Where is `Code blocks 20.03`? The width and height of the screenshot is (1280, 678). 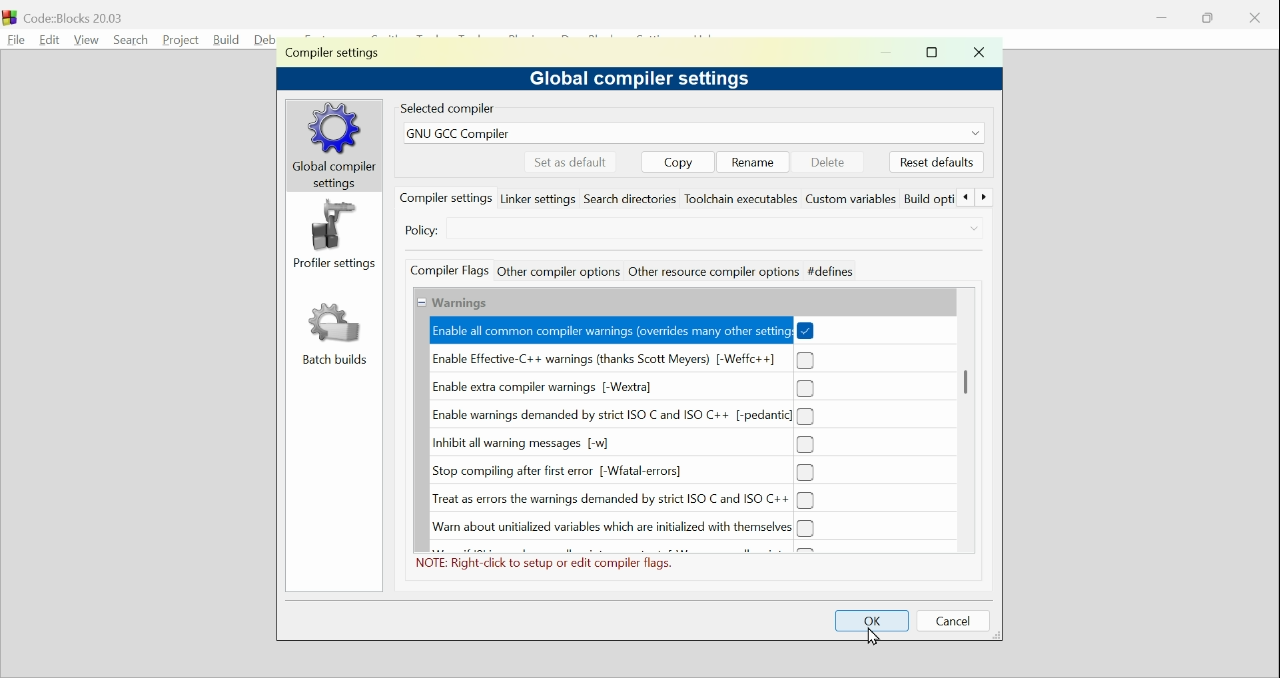
Code blocks 20.03 is located at coordinates (65, 15).